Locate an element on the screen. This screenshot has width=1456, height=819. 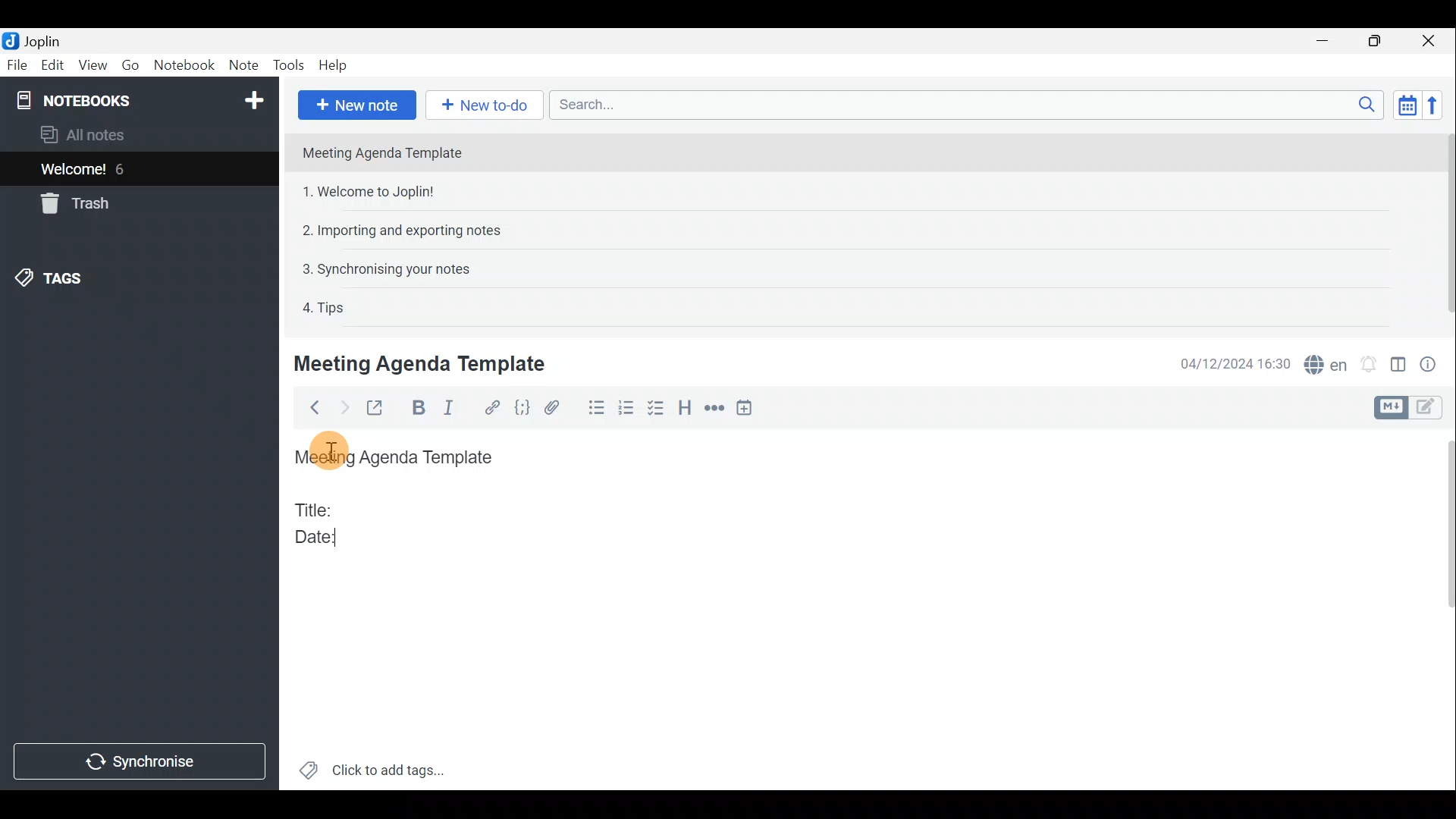
Notebooks is located at coordinates (142, 99).